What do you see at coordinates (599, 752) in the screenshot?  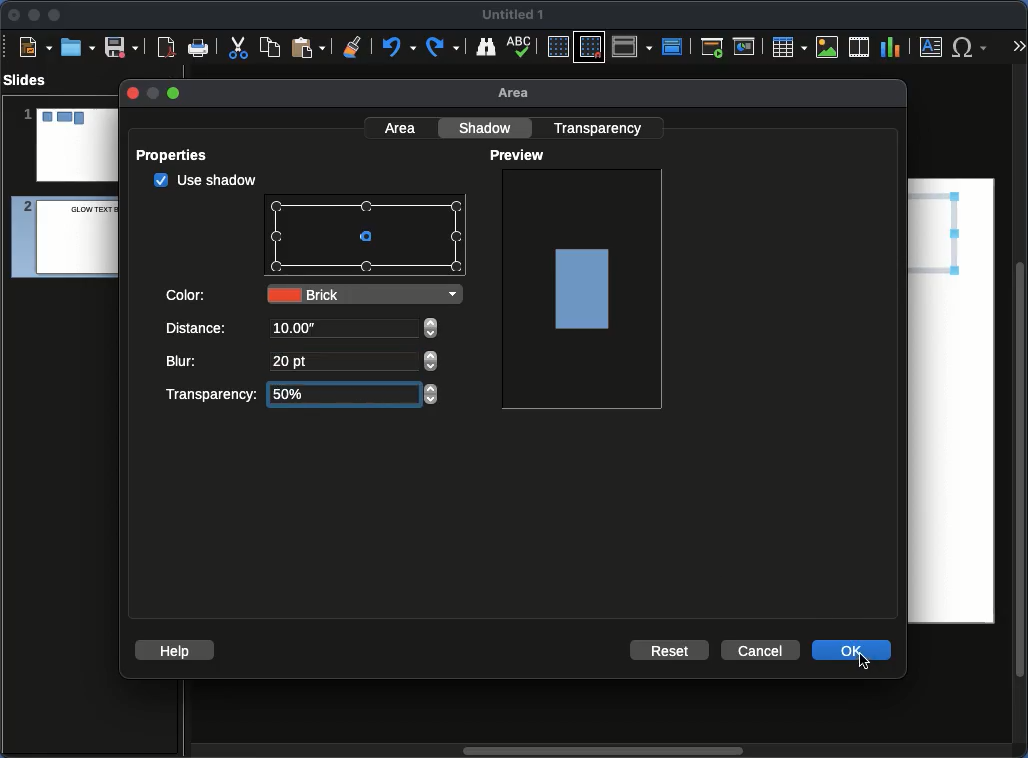 I see `Scroll` at bounding box center [599, 752].